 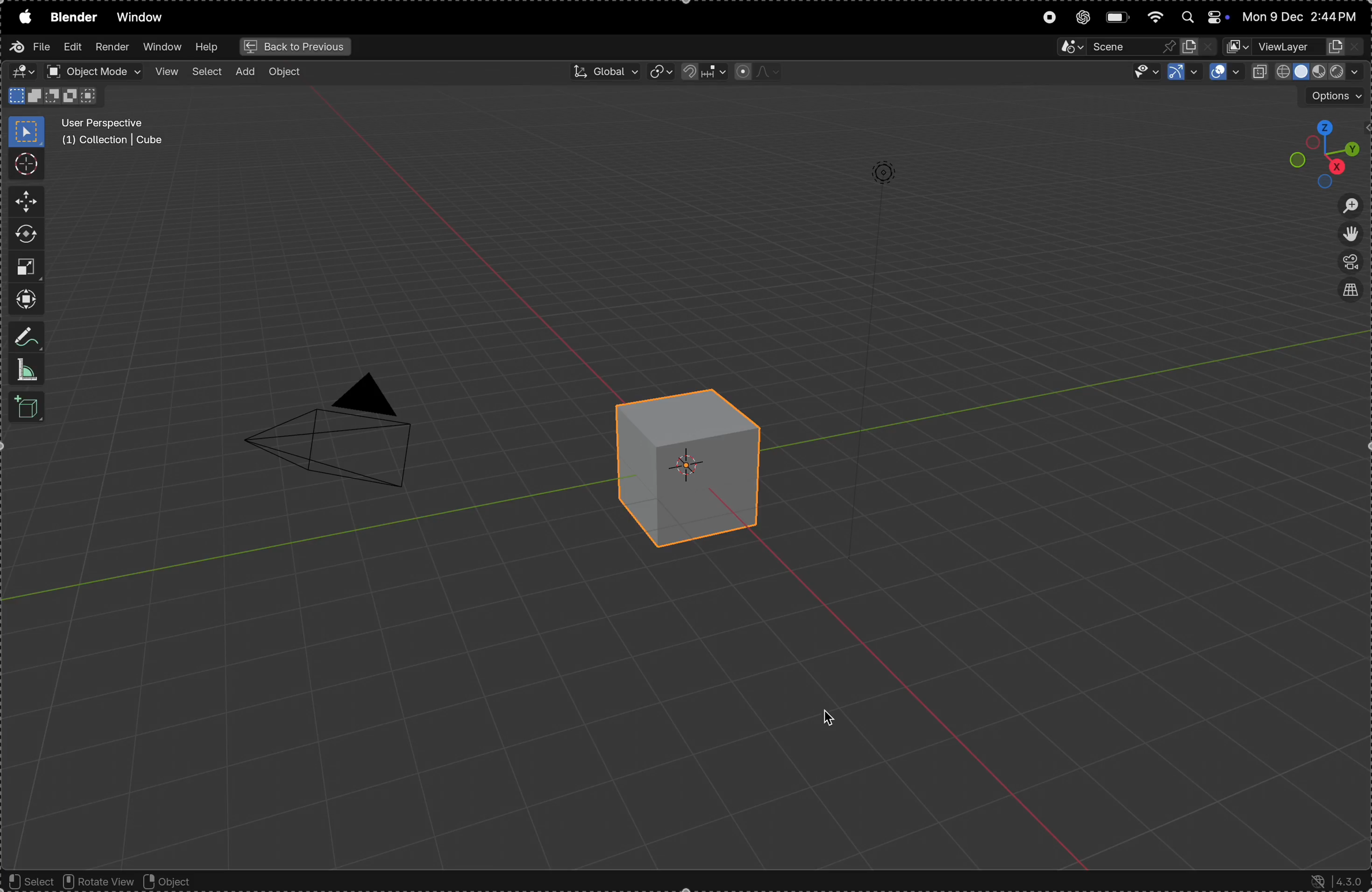 What do you see at coordinates (1297, 48) in the screenshot?
I see `view layer` at bounding box center [1297, 48].